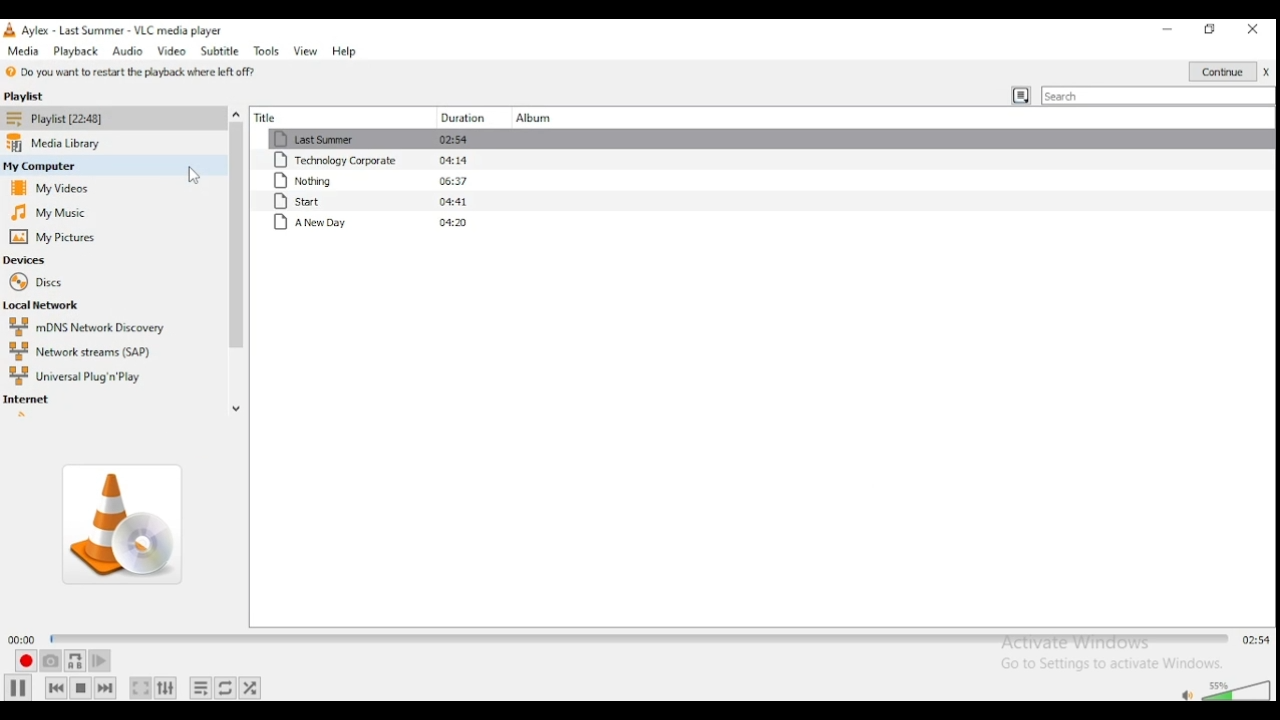 This screenshot has height=720, width=1280. Describe the element at coordinates (18, 640) in the screenshot. I see `elapsed time` at that location.